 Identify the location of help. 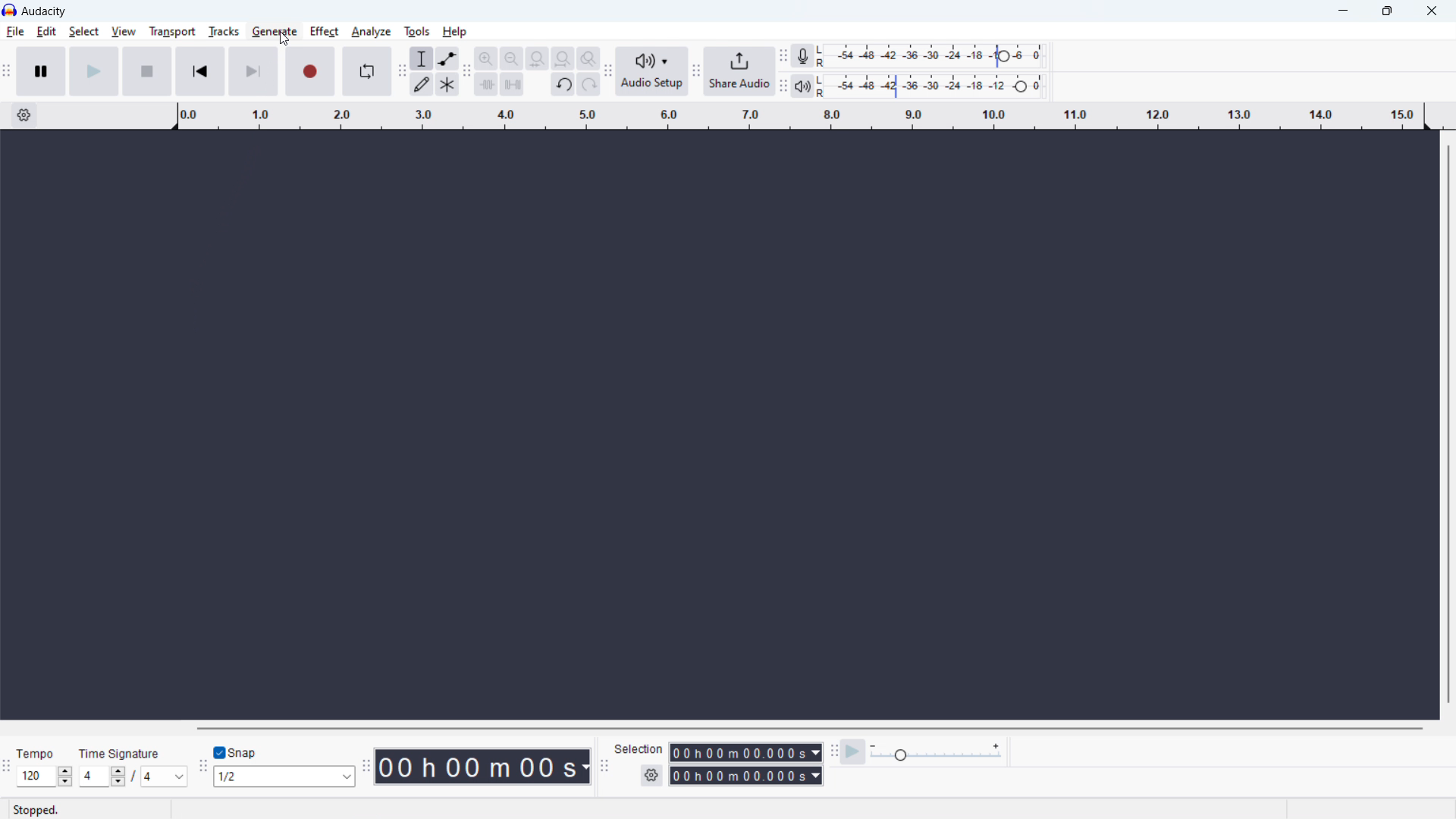
(455, 32).